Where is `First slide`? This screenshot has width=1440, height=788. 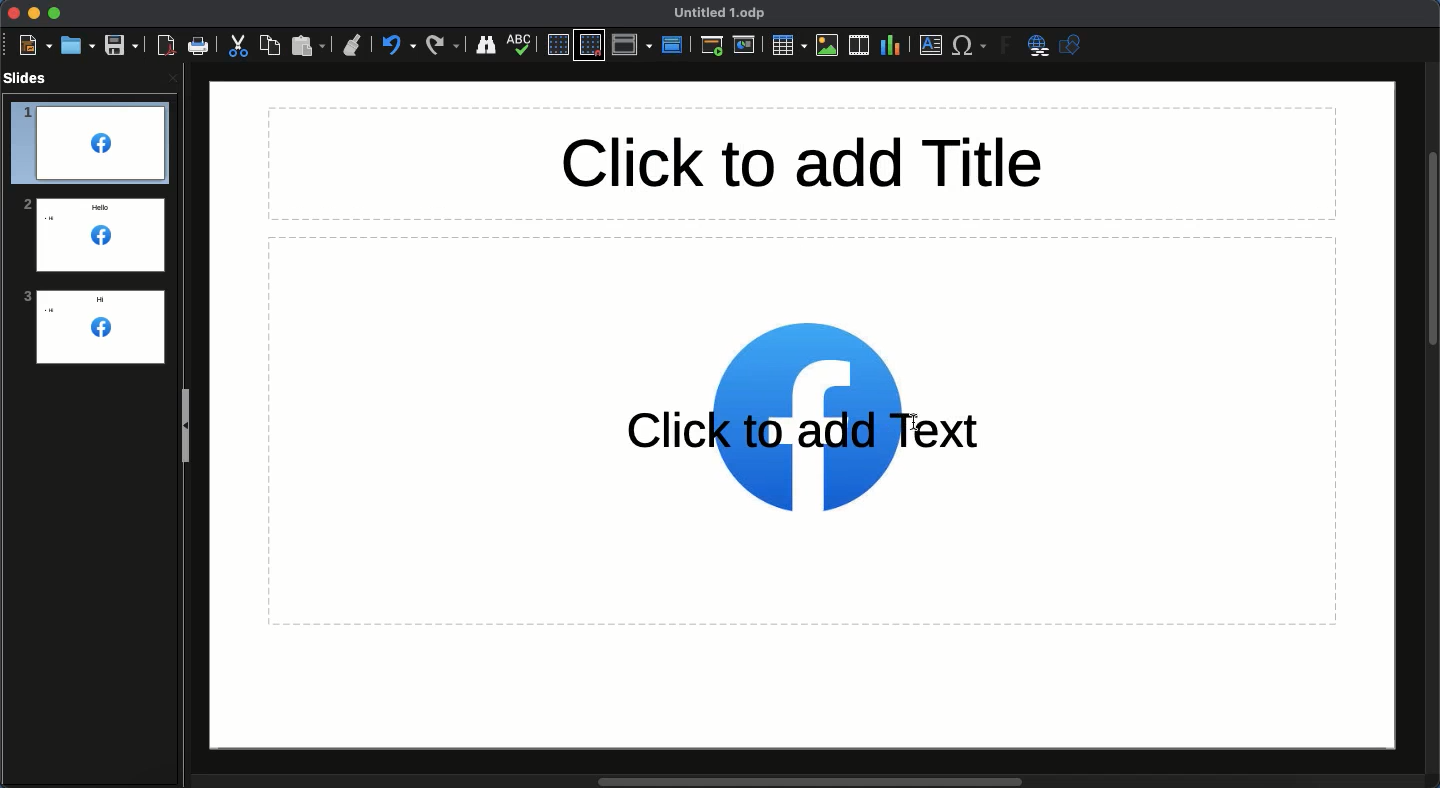
First slide is located at coordinates (714, 46).